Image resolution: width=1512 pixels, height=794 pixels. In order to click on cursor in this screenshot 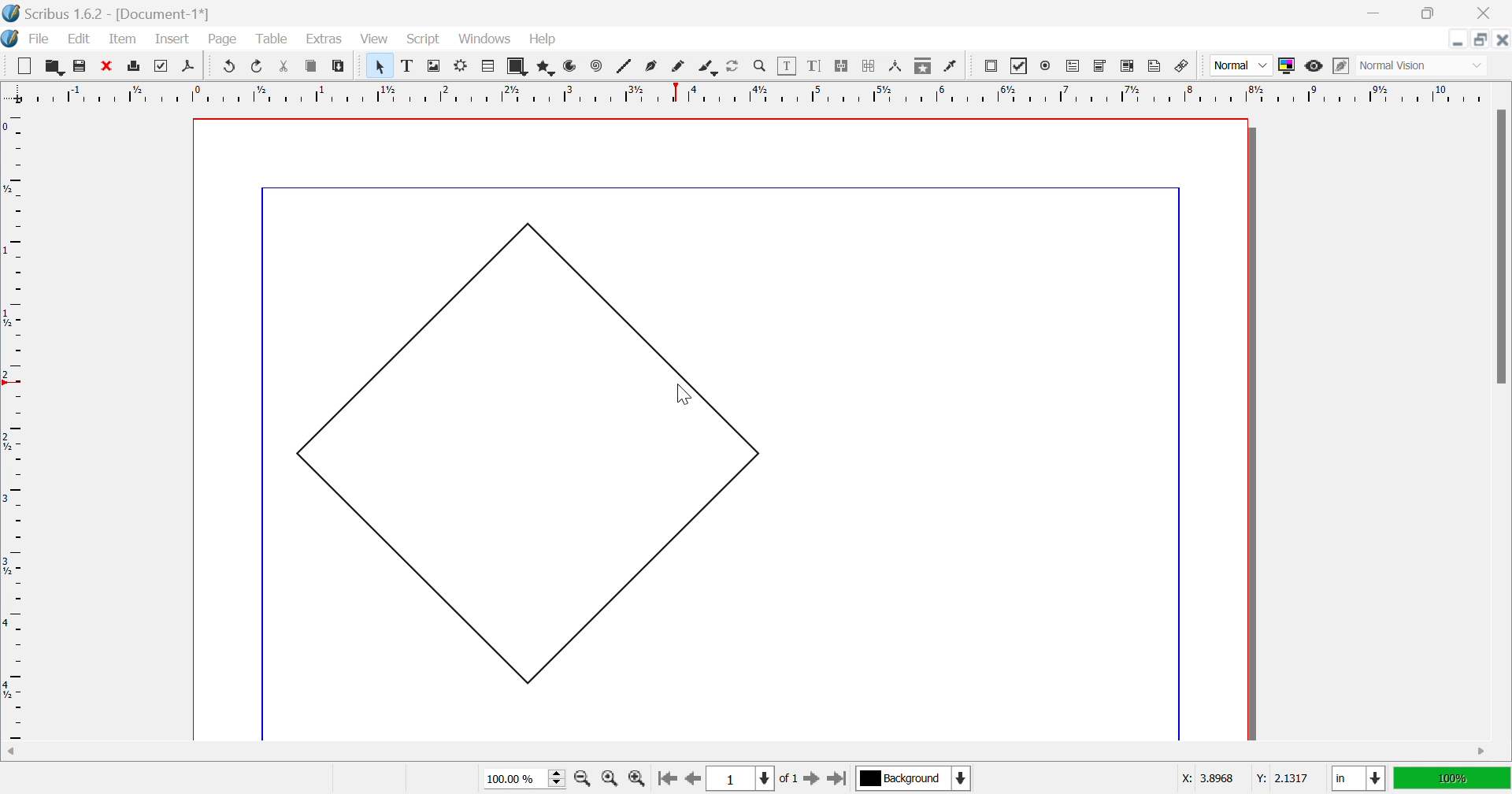, I will do `click(683, 394)`.